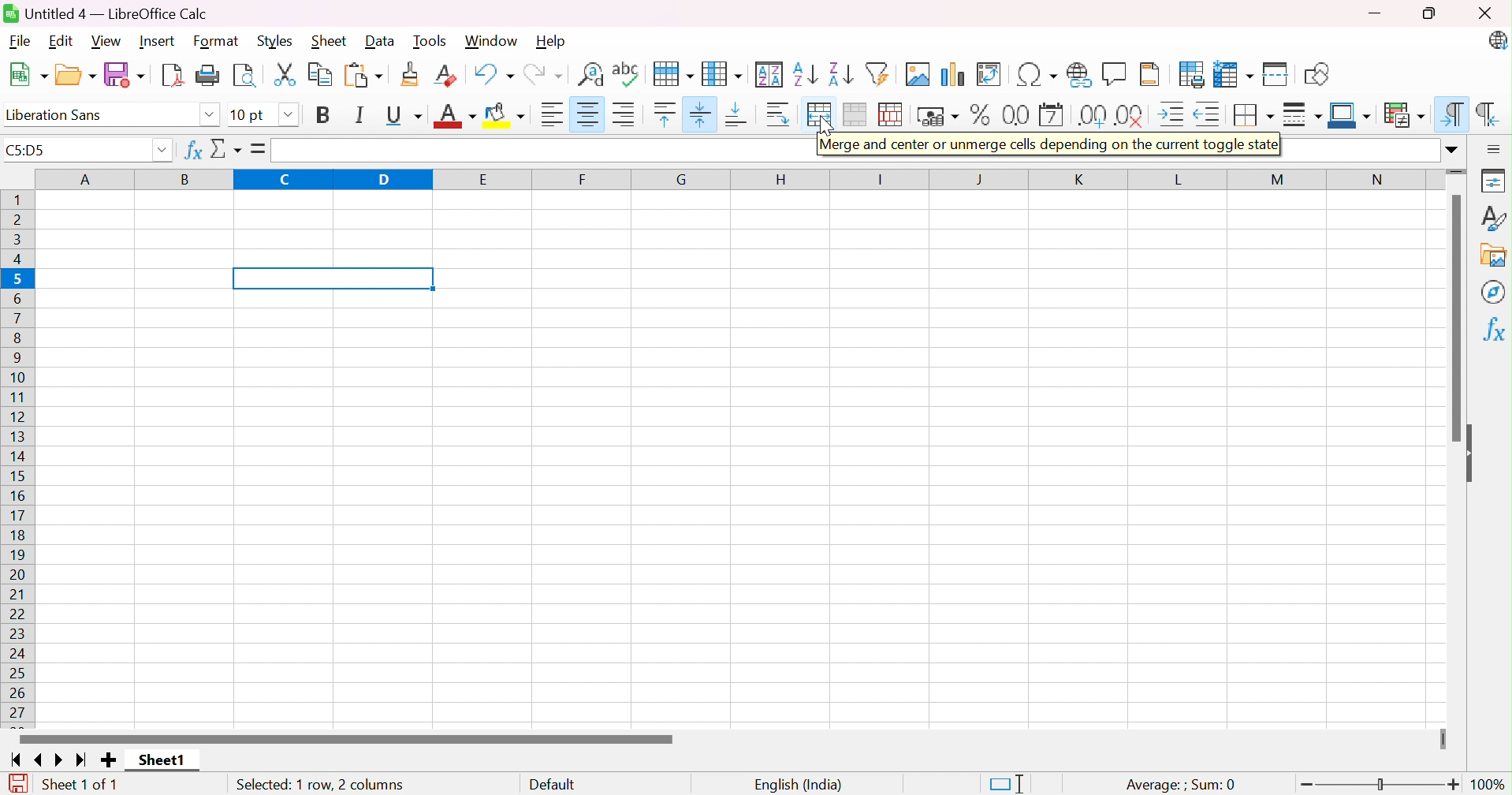 This screenshot has width=1512, height=795. What do you see at coordinates (108, 760) in the screenshot?
I see `Add new sheet` at bounding box center [108, 760].